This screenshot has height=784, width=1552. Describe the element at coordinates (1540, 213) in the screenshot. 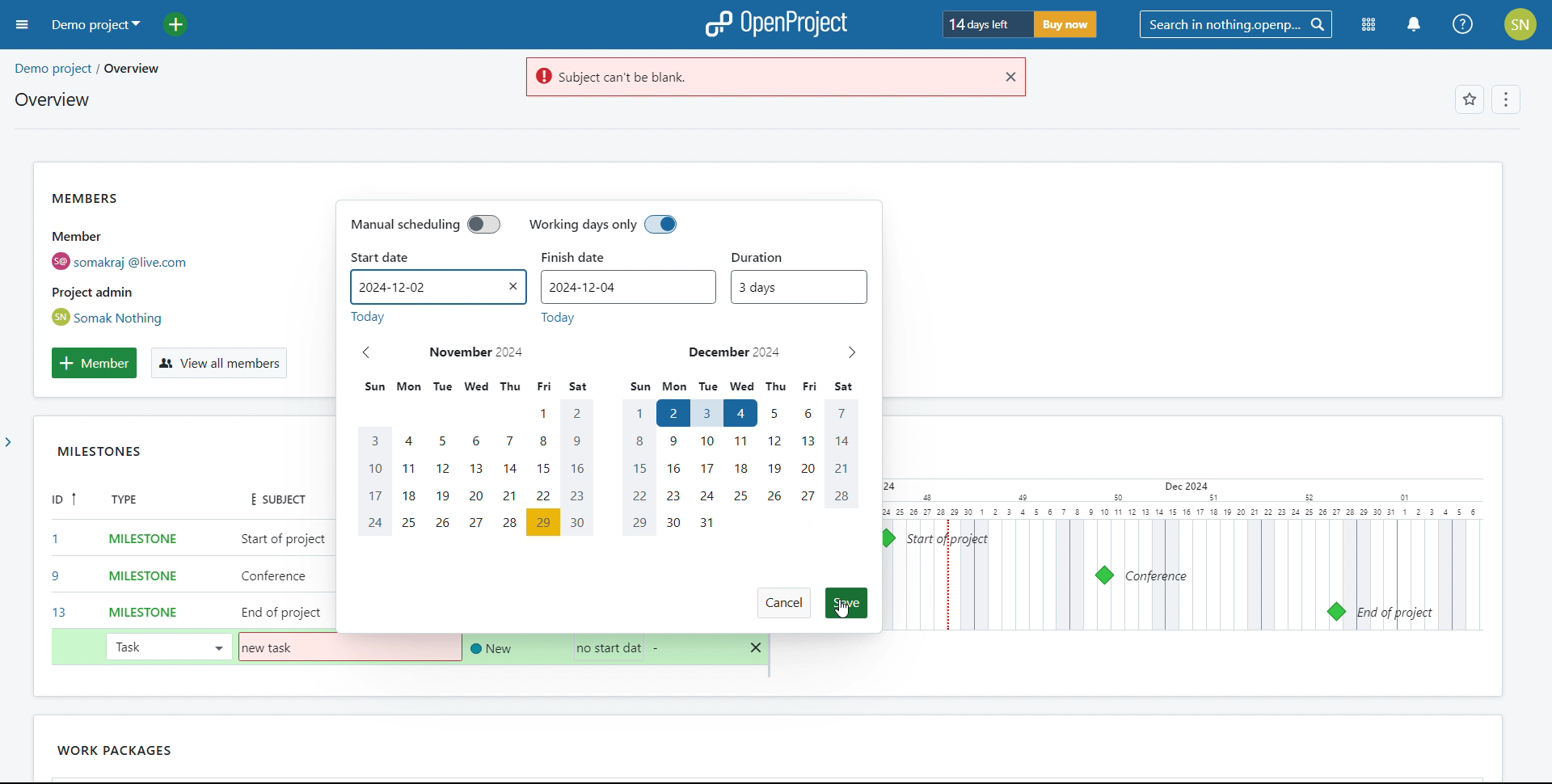

I see `scroll bar` at that location.